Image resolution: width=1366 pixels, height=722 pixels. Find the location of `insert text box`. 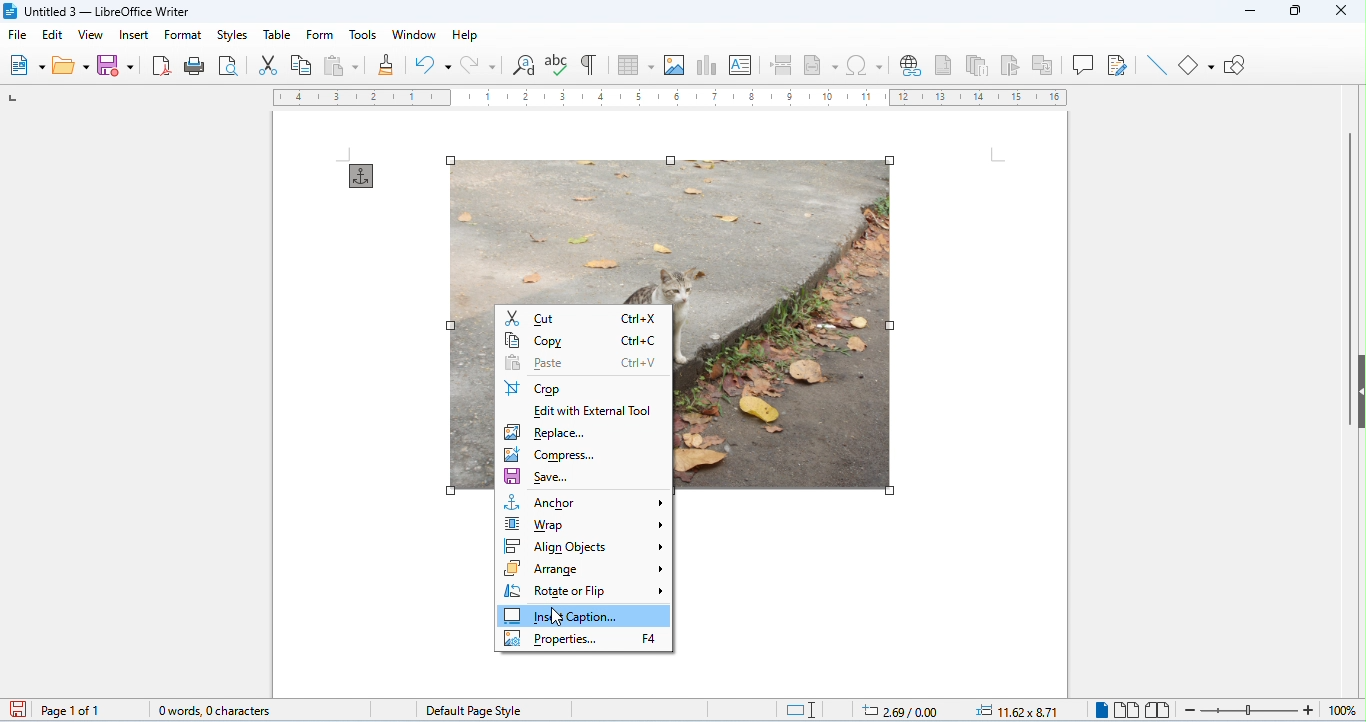

insert text box is located at coordinates (742, 66).